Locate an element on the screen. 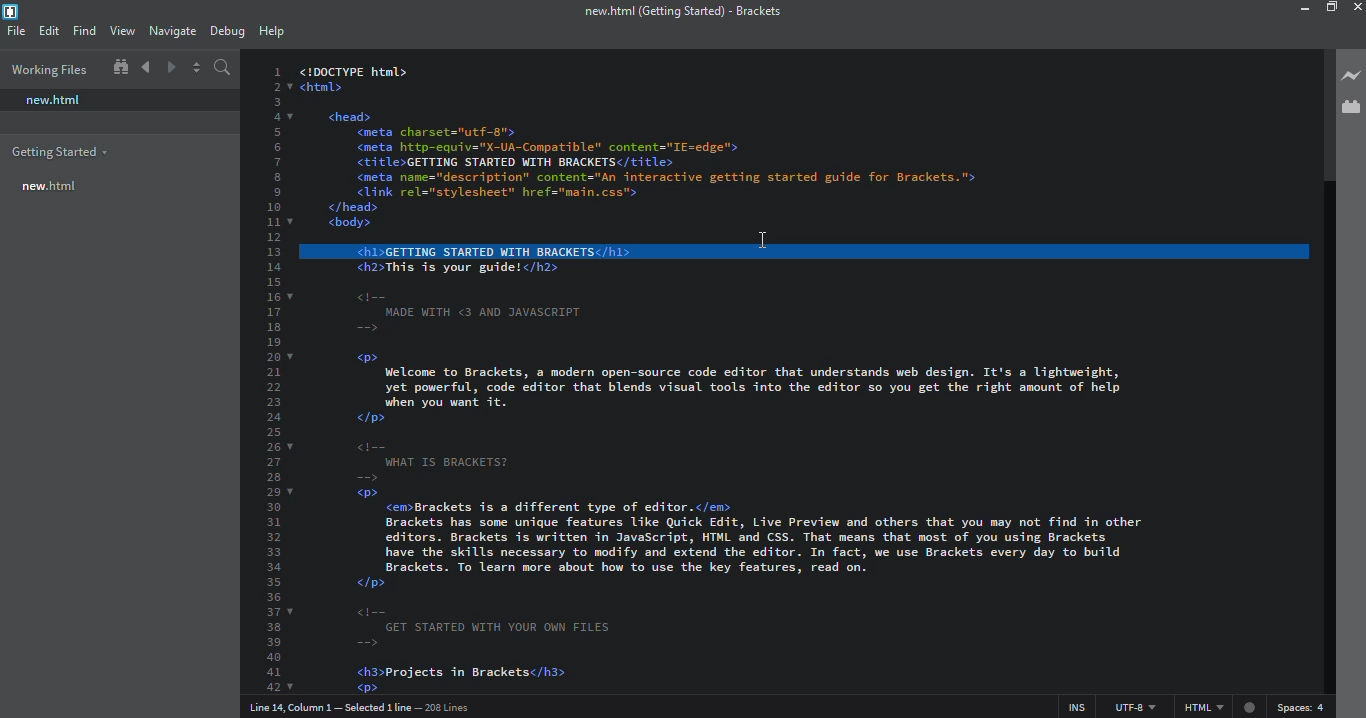 The height and width of the screenshot is (718, 1366). live preview is located at coordinates (1351, 75).